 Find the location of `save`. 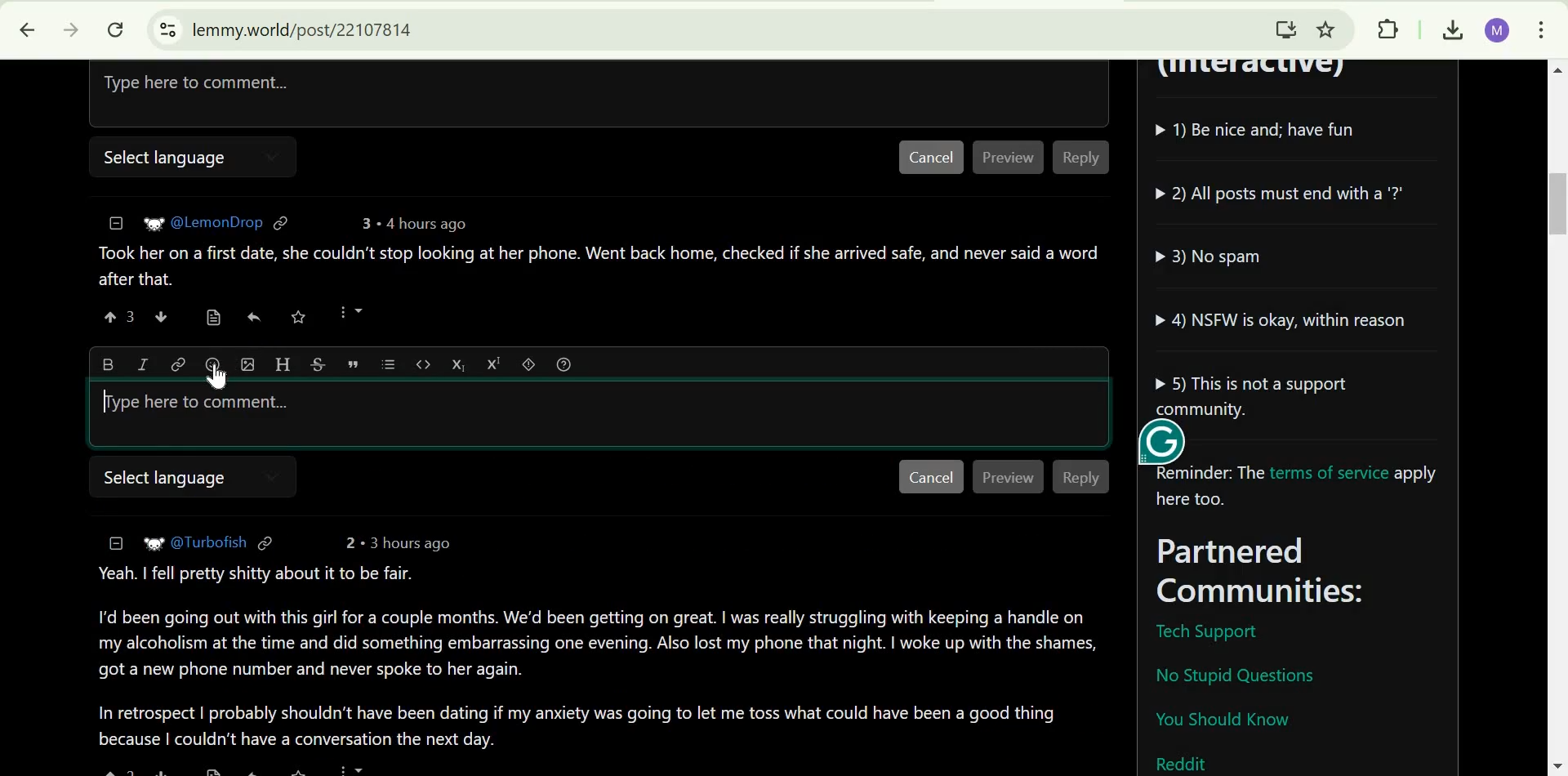

save is located at coordinates (299, 316).